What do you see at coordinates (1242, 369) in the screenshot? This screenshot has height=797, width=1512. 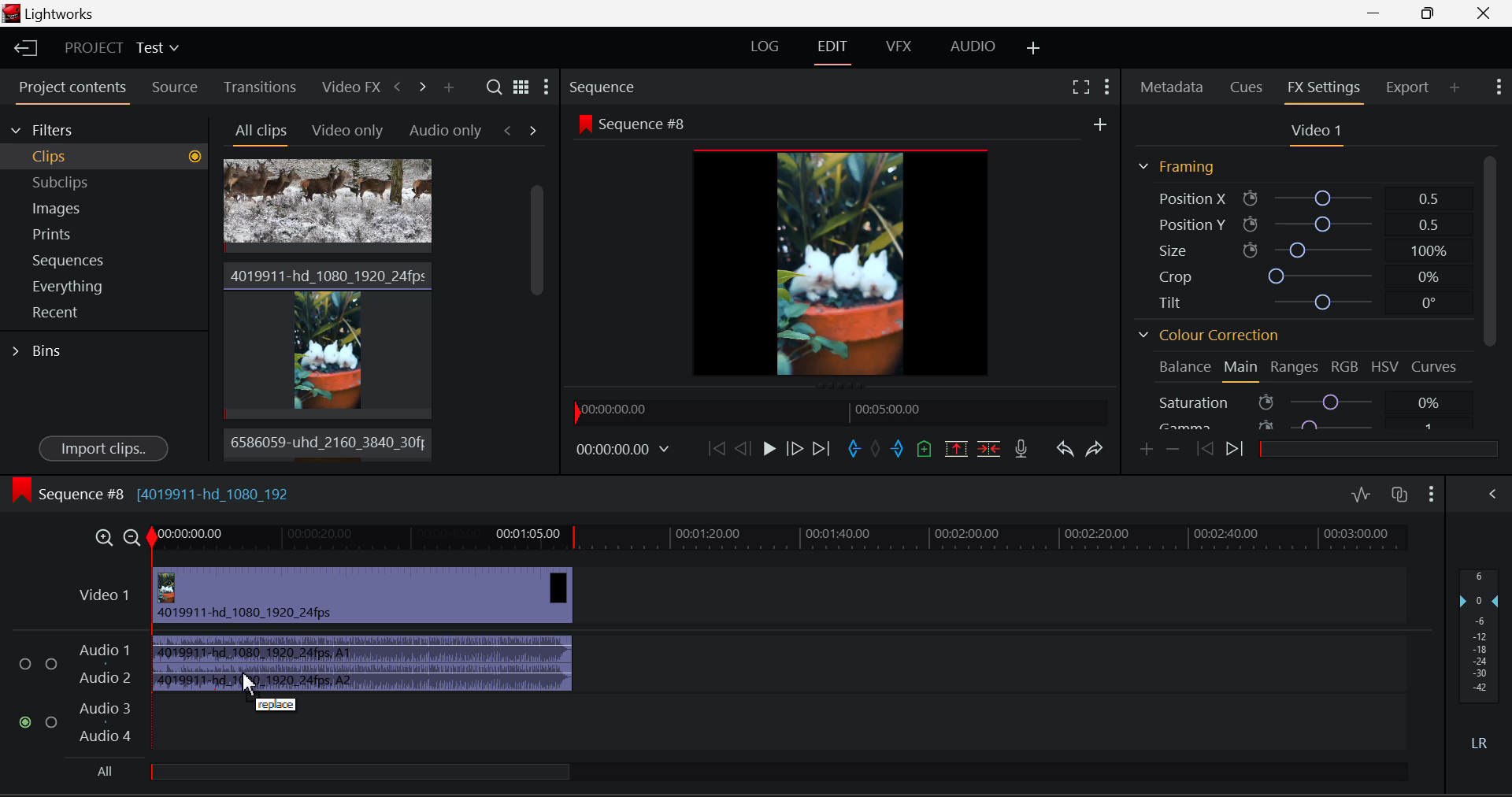 I see `Main Tab Open` at bounding box center [1242, 369].